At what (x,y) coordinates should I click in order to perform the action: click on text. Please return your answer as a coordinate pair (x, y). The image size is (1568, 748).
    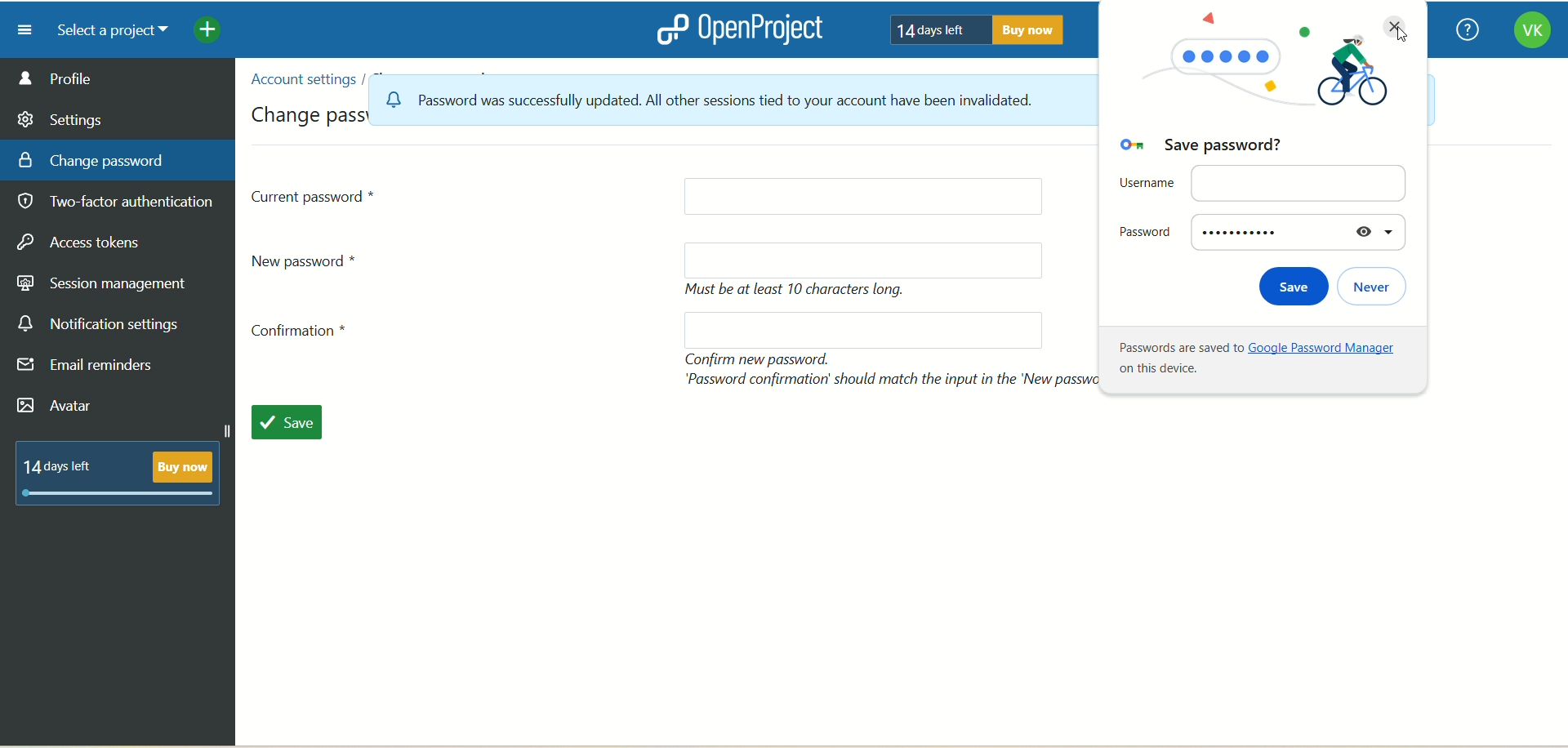
    Looking at the image, I should click on (971, 29).